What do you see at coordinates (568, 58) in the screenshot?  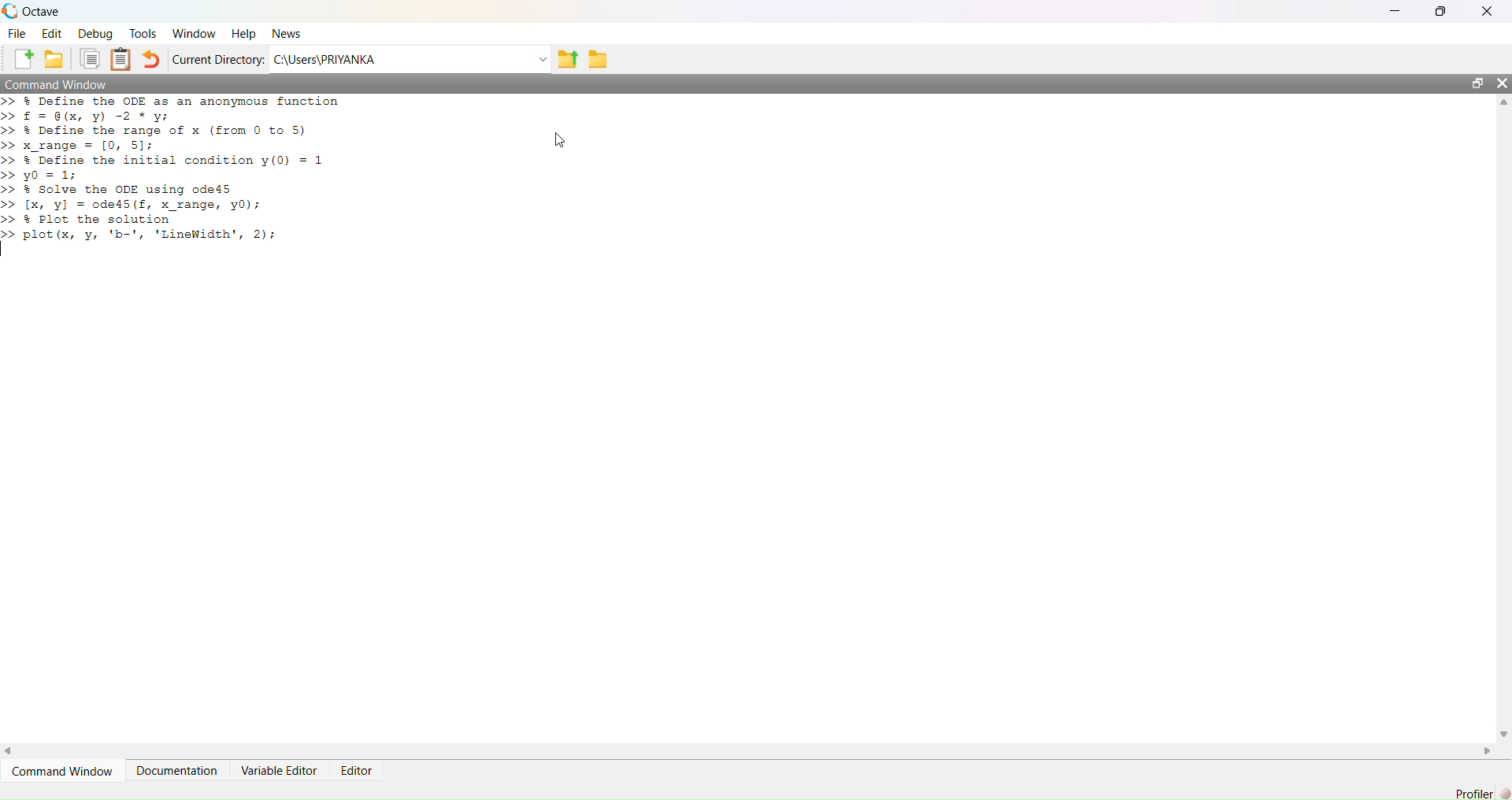 I see `one directory up` at bounding box center [568, 58].